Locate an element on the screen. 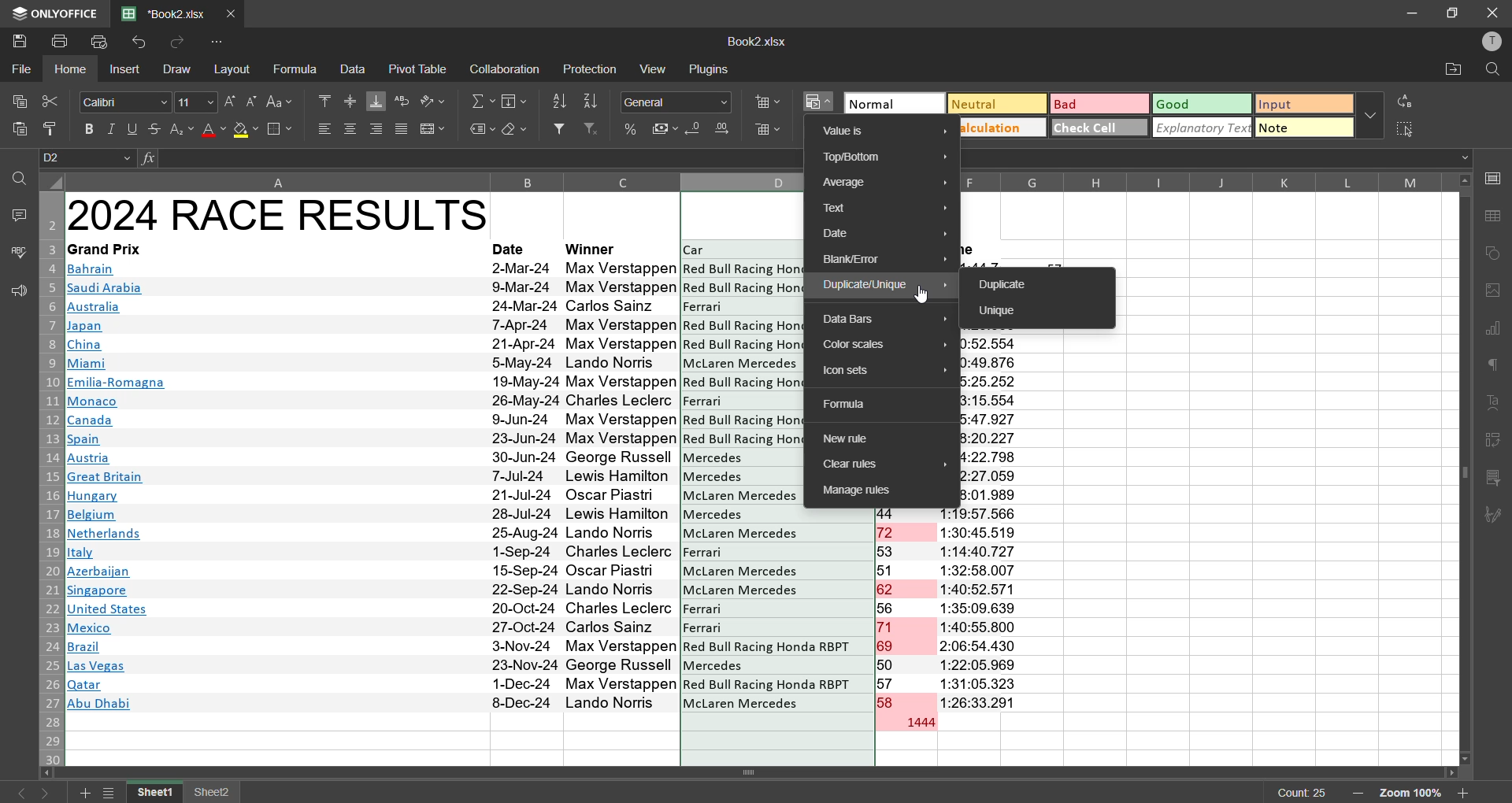 This screenshot has width=1512, height=803. save is located at coordinates (19, 39).